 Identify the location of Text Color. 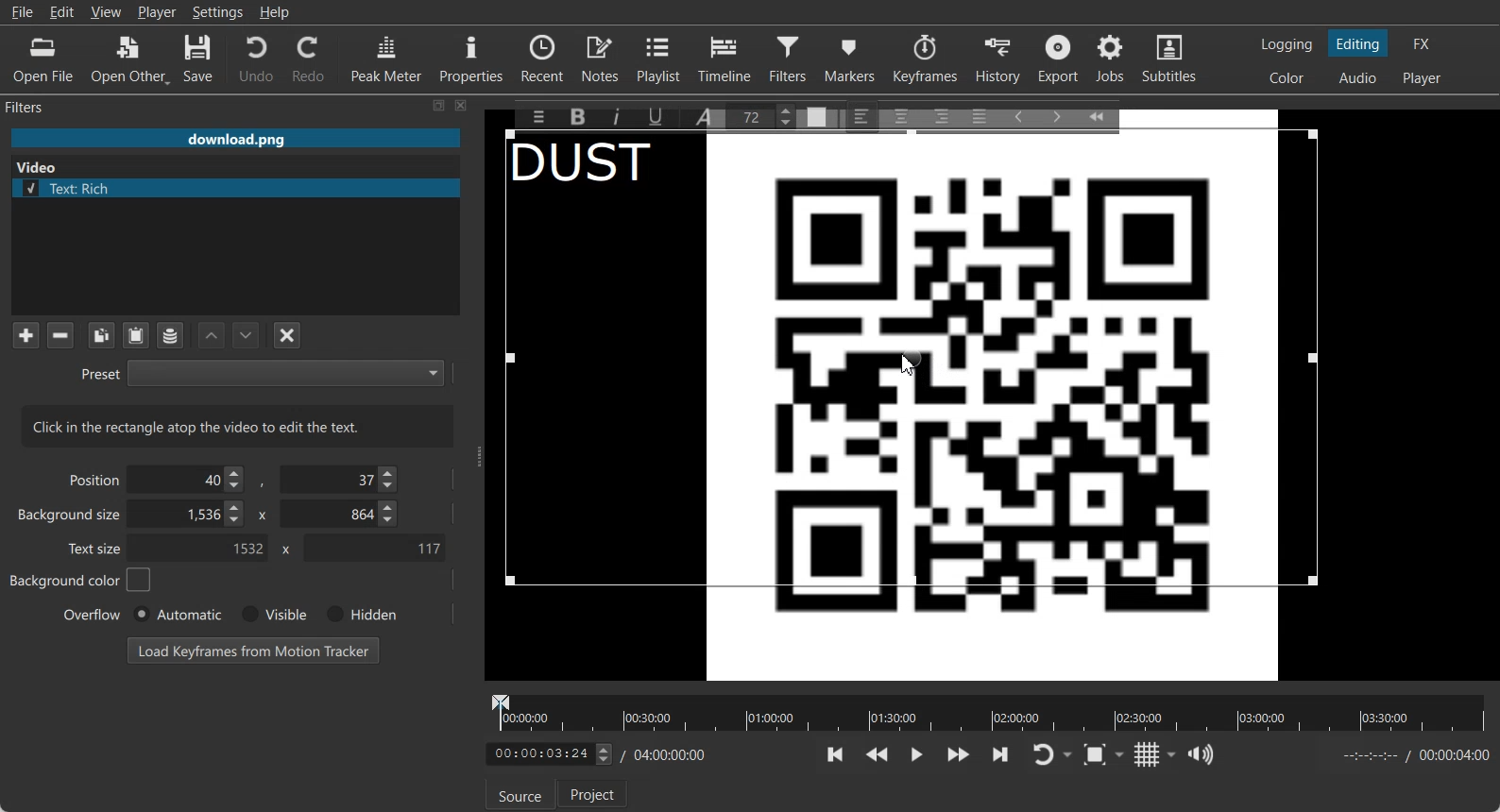
(817, 115).